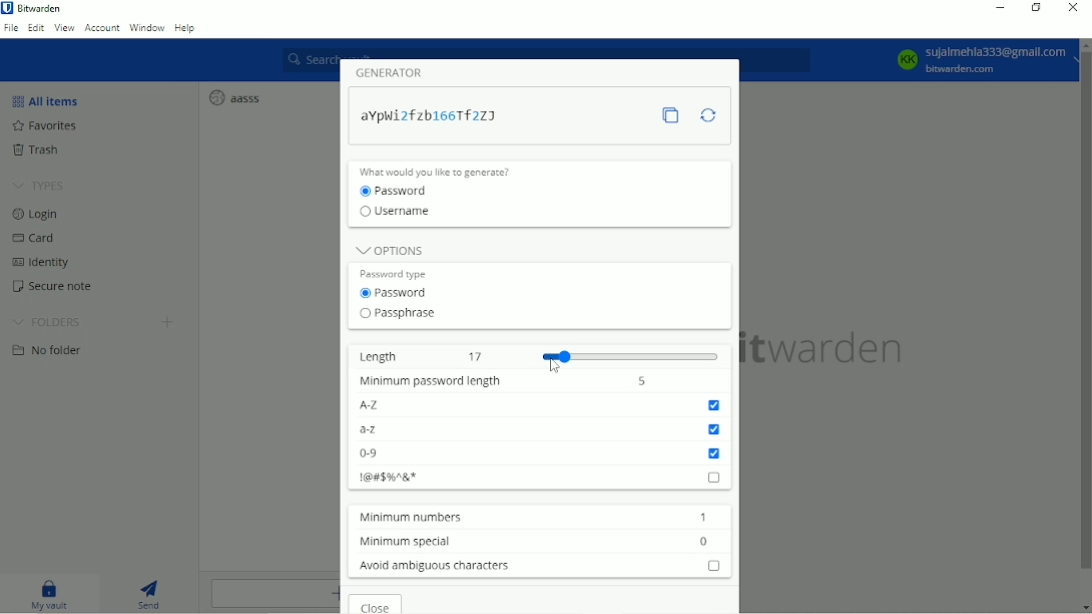 The width and height of the screenshot is (1092, 614). What do you see at coordinates (147, 28) in the screenshot?
I see `Window` at bounding box center [147, 28].